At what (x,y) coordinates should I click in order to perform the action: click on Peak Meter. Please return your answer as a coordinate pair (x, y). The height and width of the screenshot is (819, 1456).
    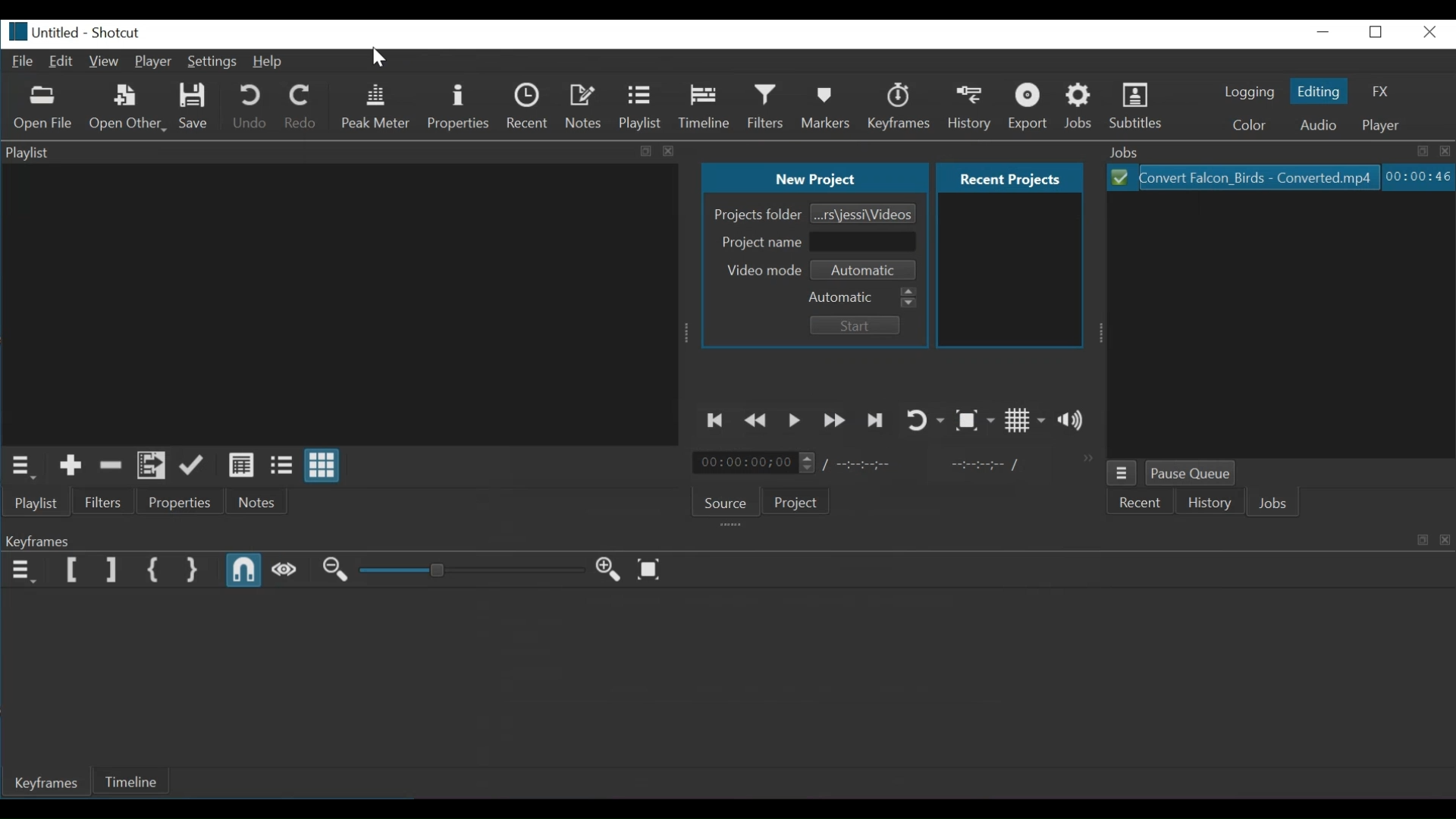
    Looking at the image, I should click on (378, 107).